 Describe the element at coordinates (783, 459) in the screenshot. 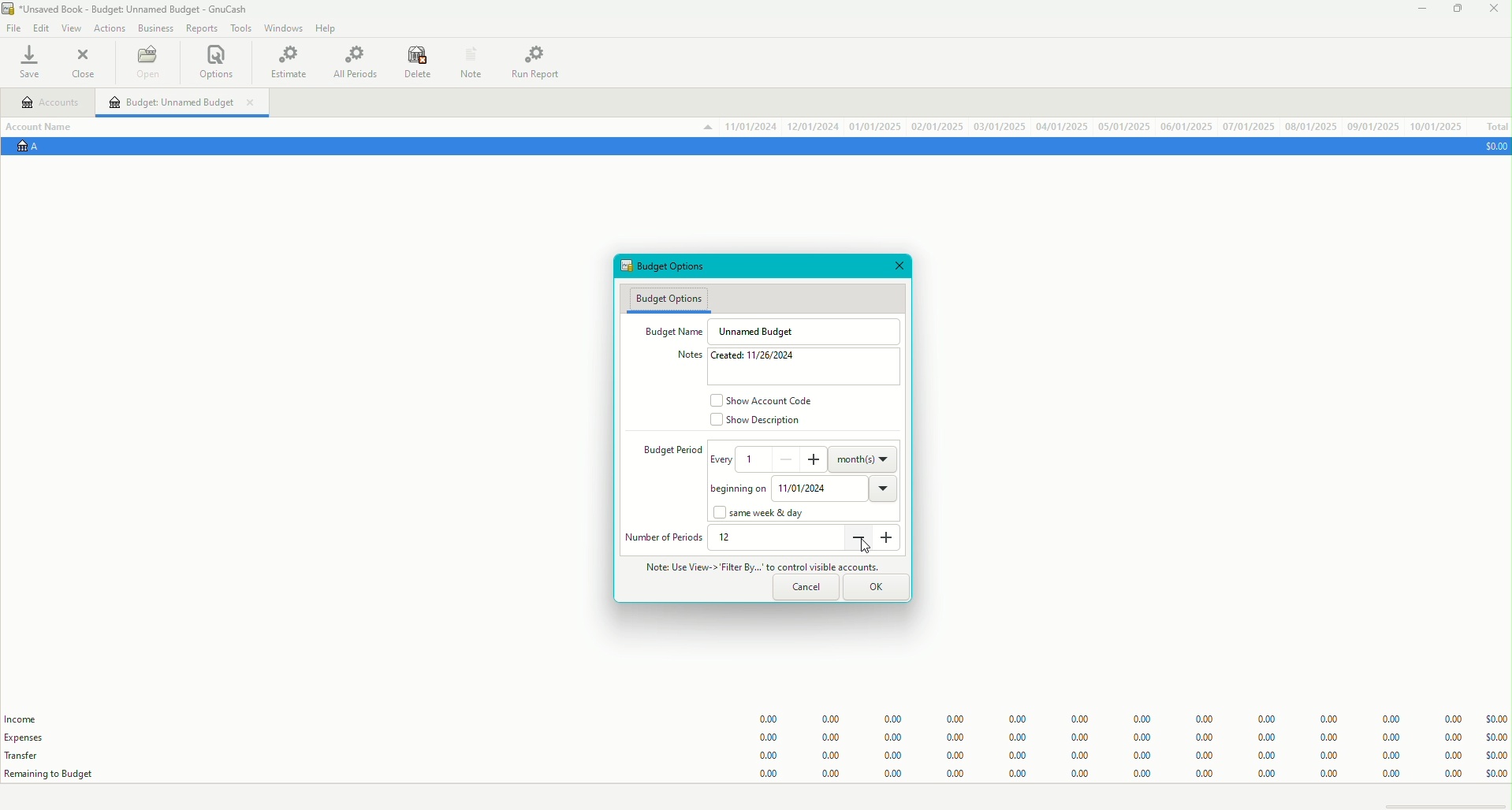

I see `decrease` at that location.